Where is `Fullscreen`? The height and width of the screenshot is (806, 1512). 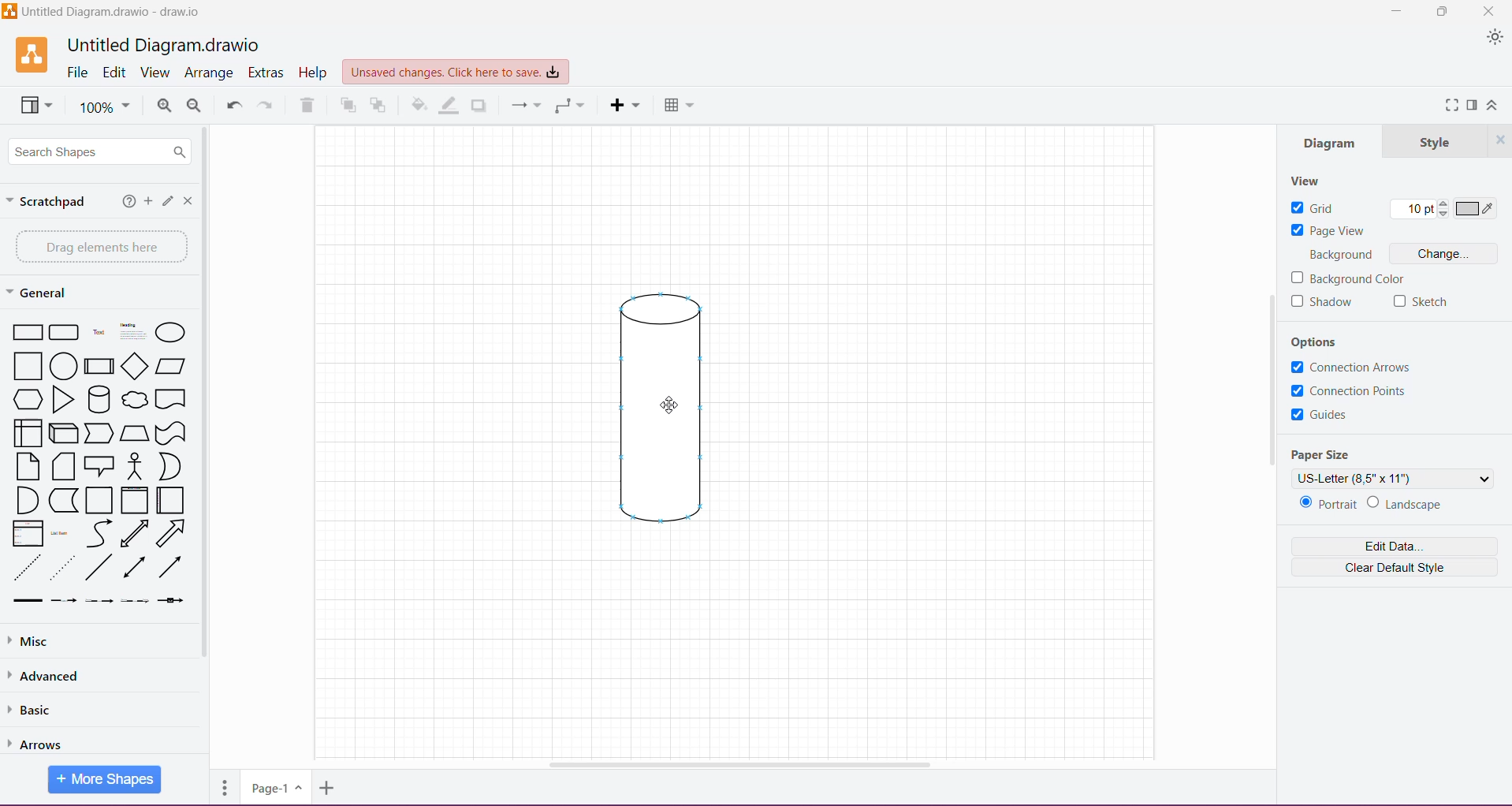
Fullscreen is located at coordinates (1447, 105).